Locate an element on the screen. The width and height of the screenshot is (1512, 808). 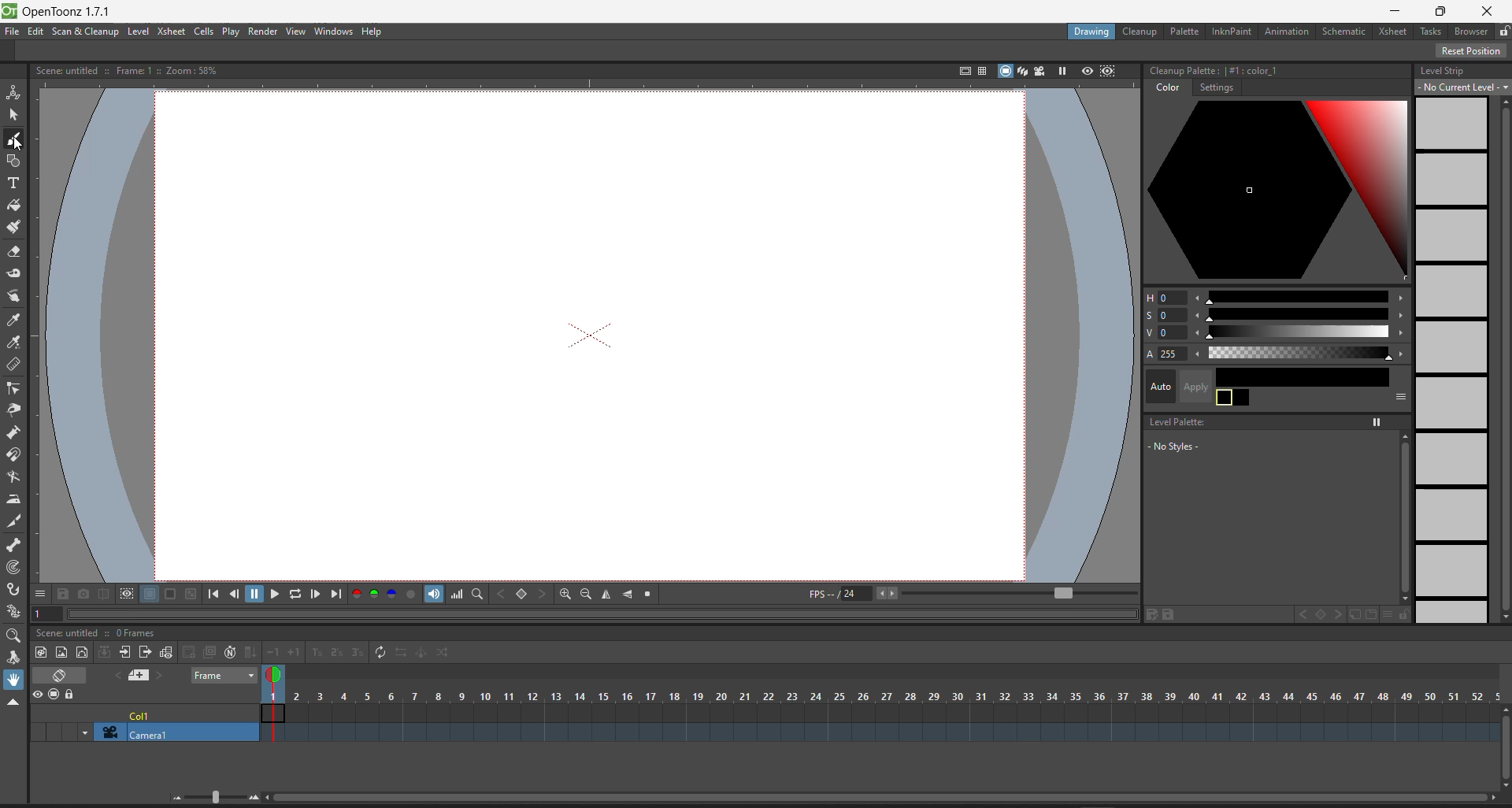
move right is located at coordinates (1399, 298).